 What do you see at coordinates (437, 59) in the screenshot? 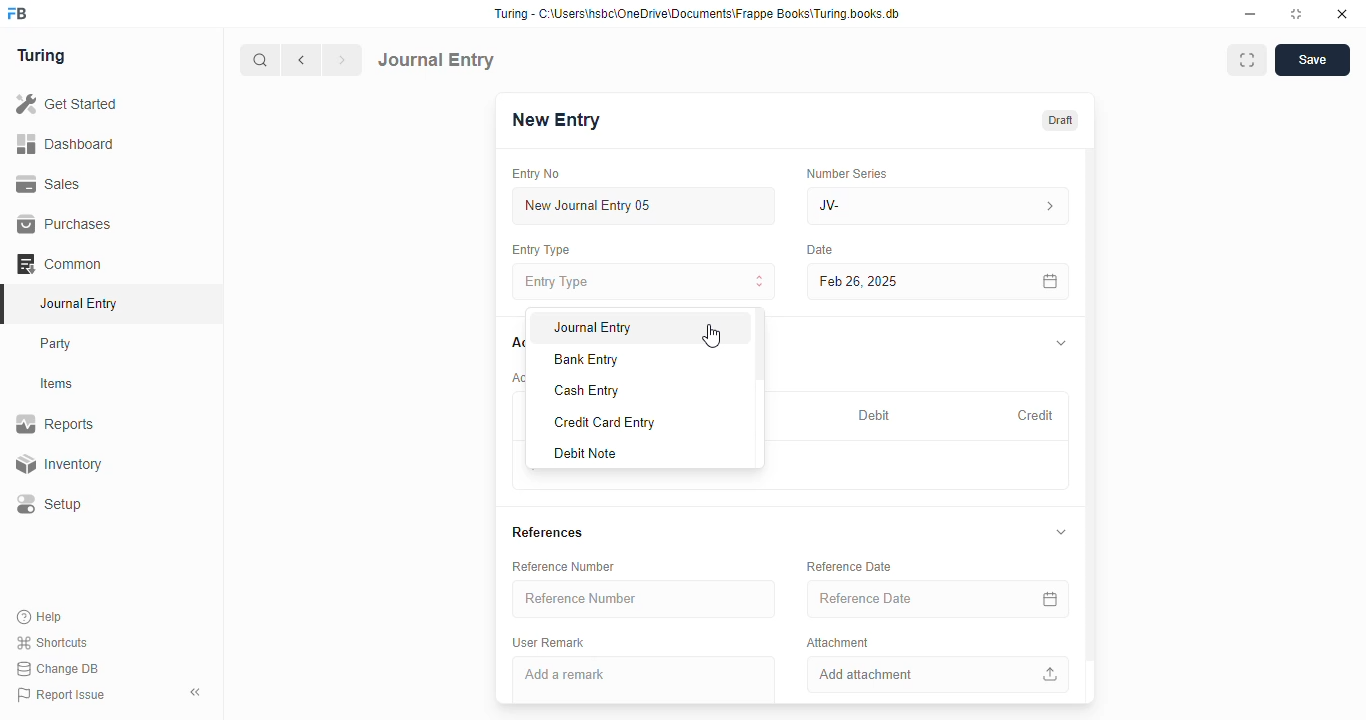
I see `journal entry` at bounding box center [437, 59].